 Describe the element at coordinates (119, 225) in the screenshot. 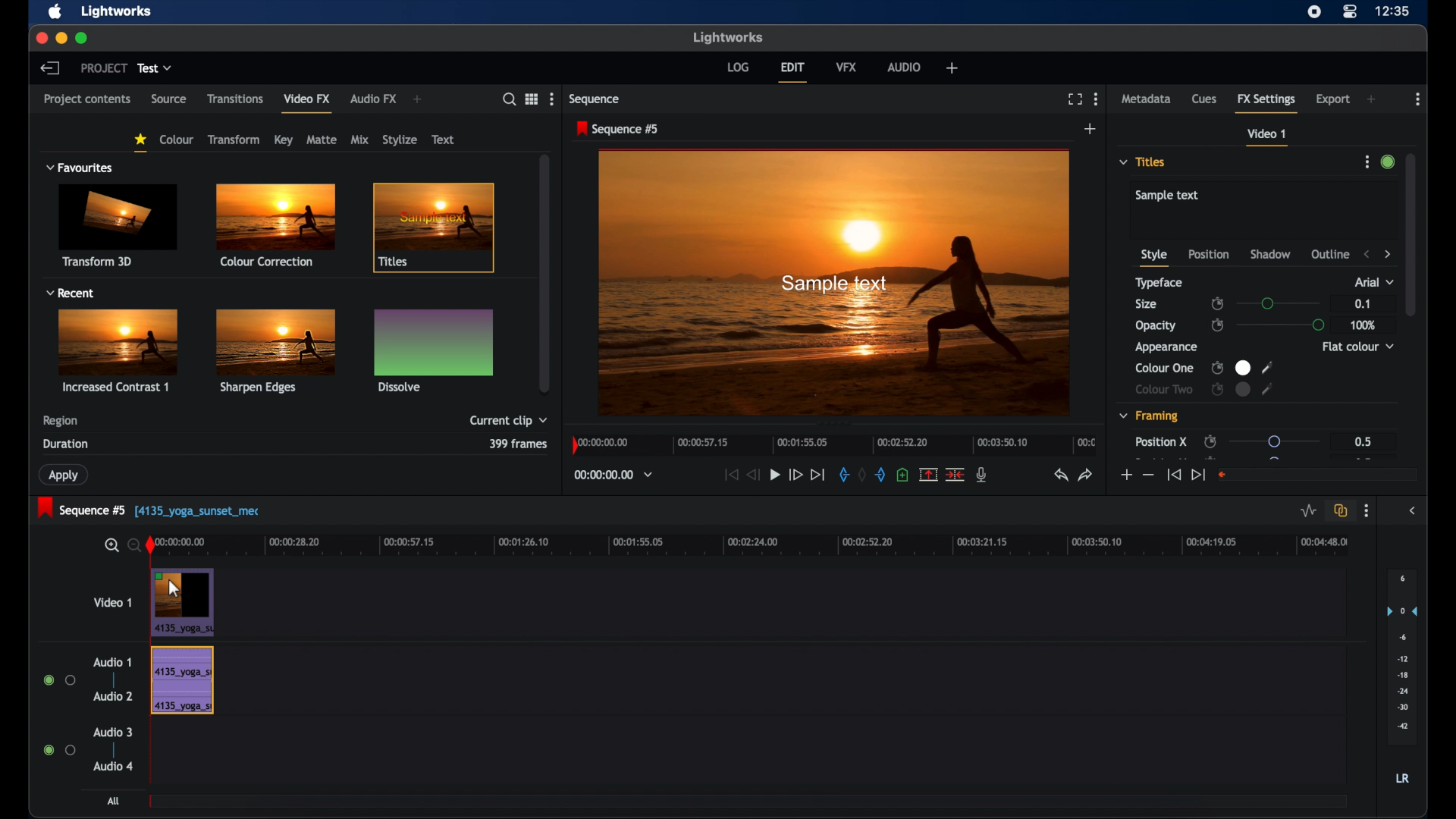

I see `transform 3d` at that location.